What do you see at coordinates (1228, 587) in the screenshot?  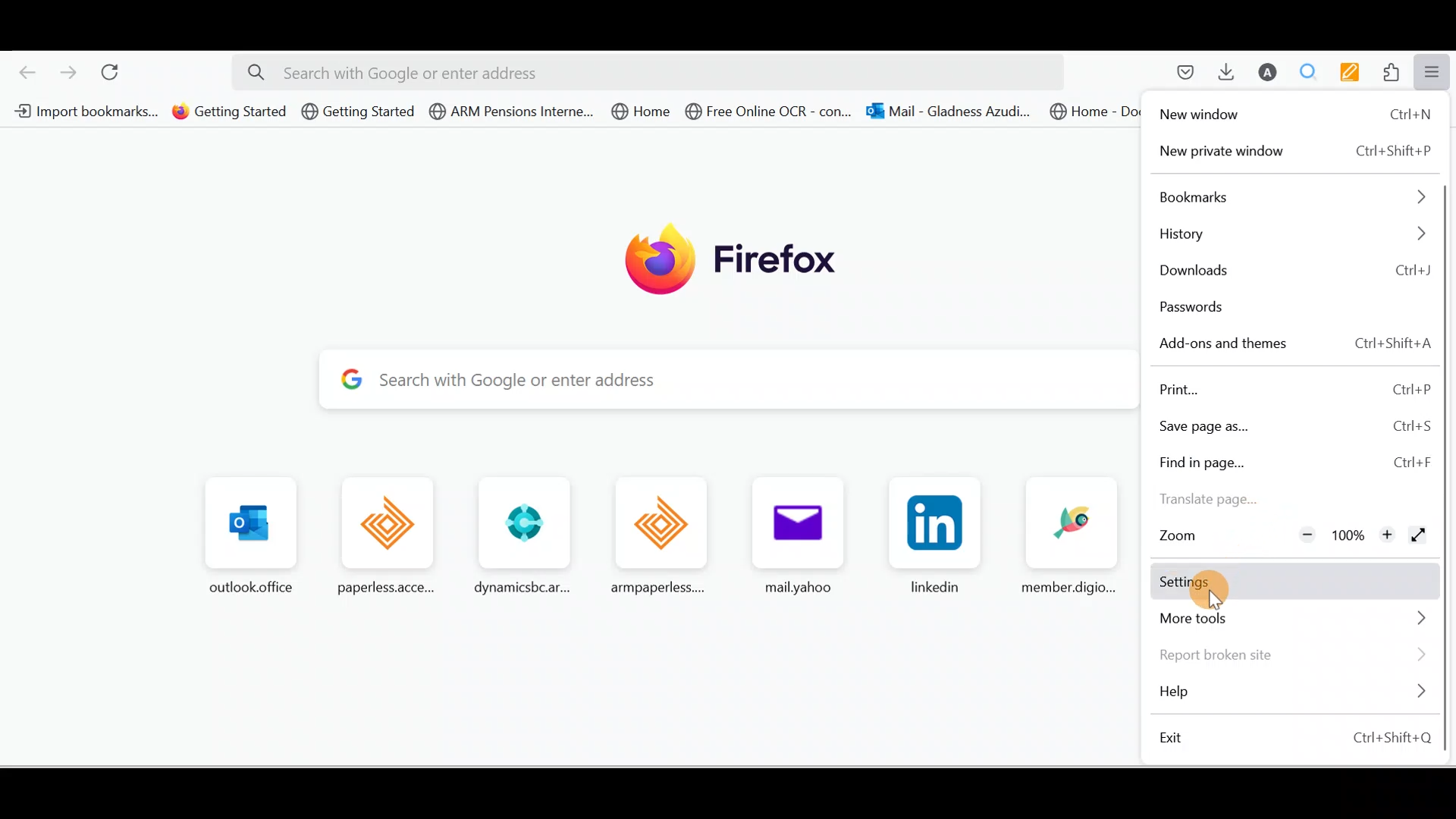 I see `Cursor` at bounding box center [1228, 587].